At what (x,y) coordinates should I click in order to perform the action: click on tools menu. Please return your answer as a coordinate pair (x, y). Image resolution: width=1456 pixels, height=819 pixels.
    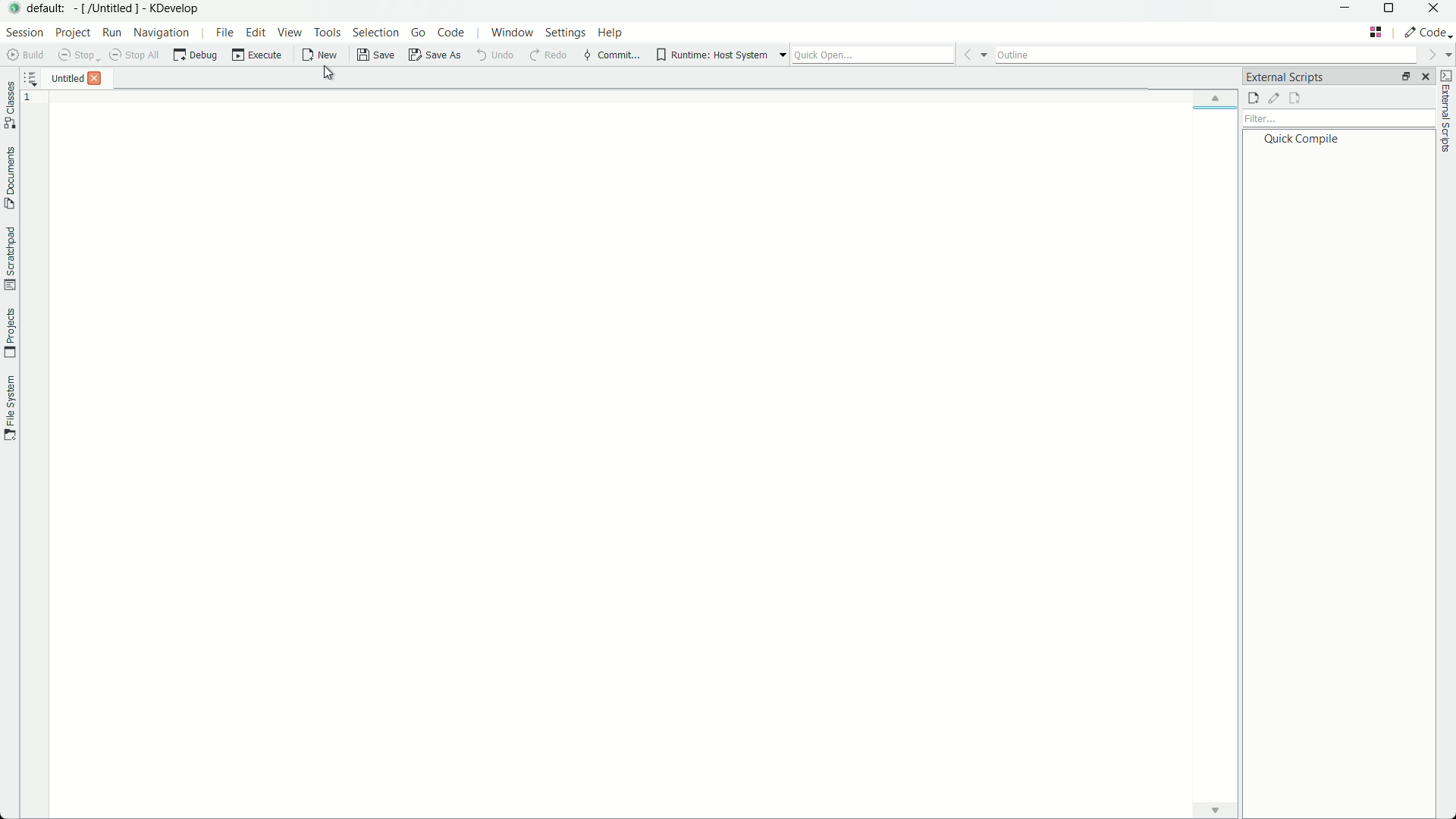
    Looking at the image, I should click on (329, 31).